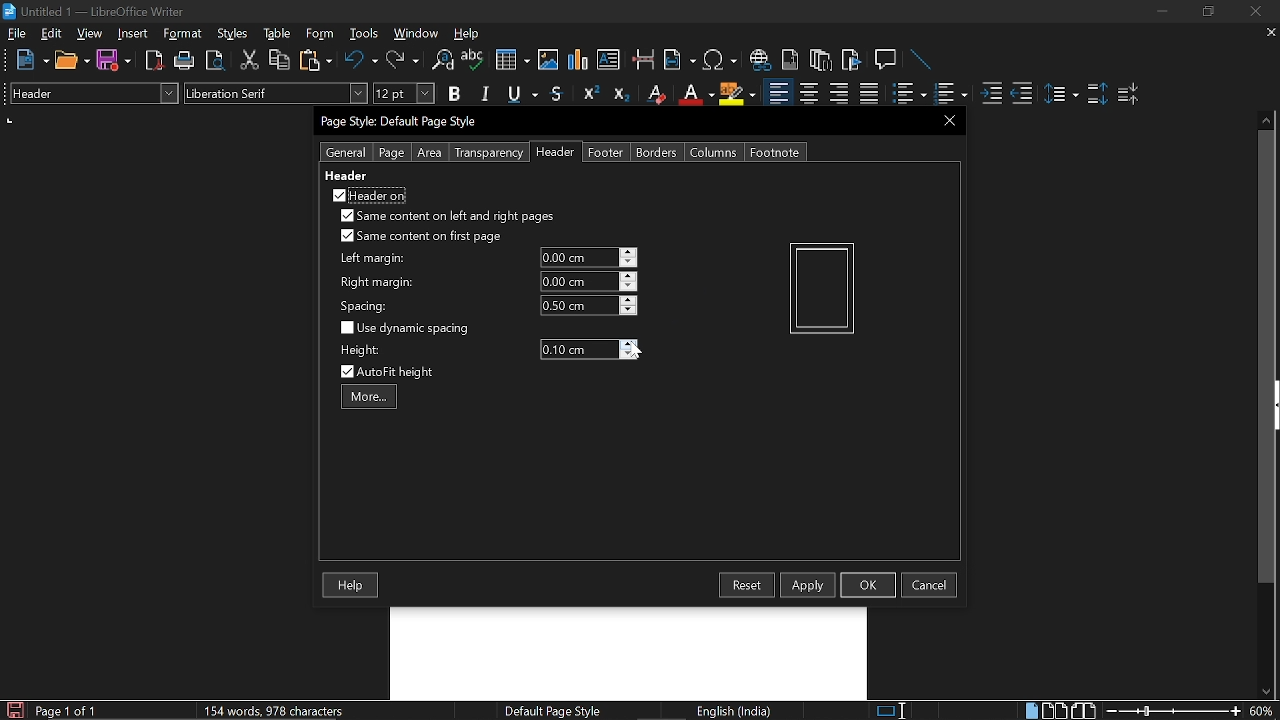 This screenshot has width=1280, height=720. Describe the element at coordinates (922, 61) in the screenshot. I see `Line` at that location.